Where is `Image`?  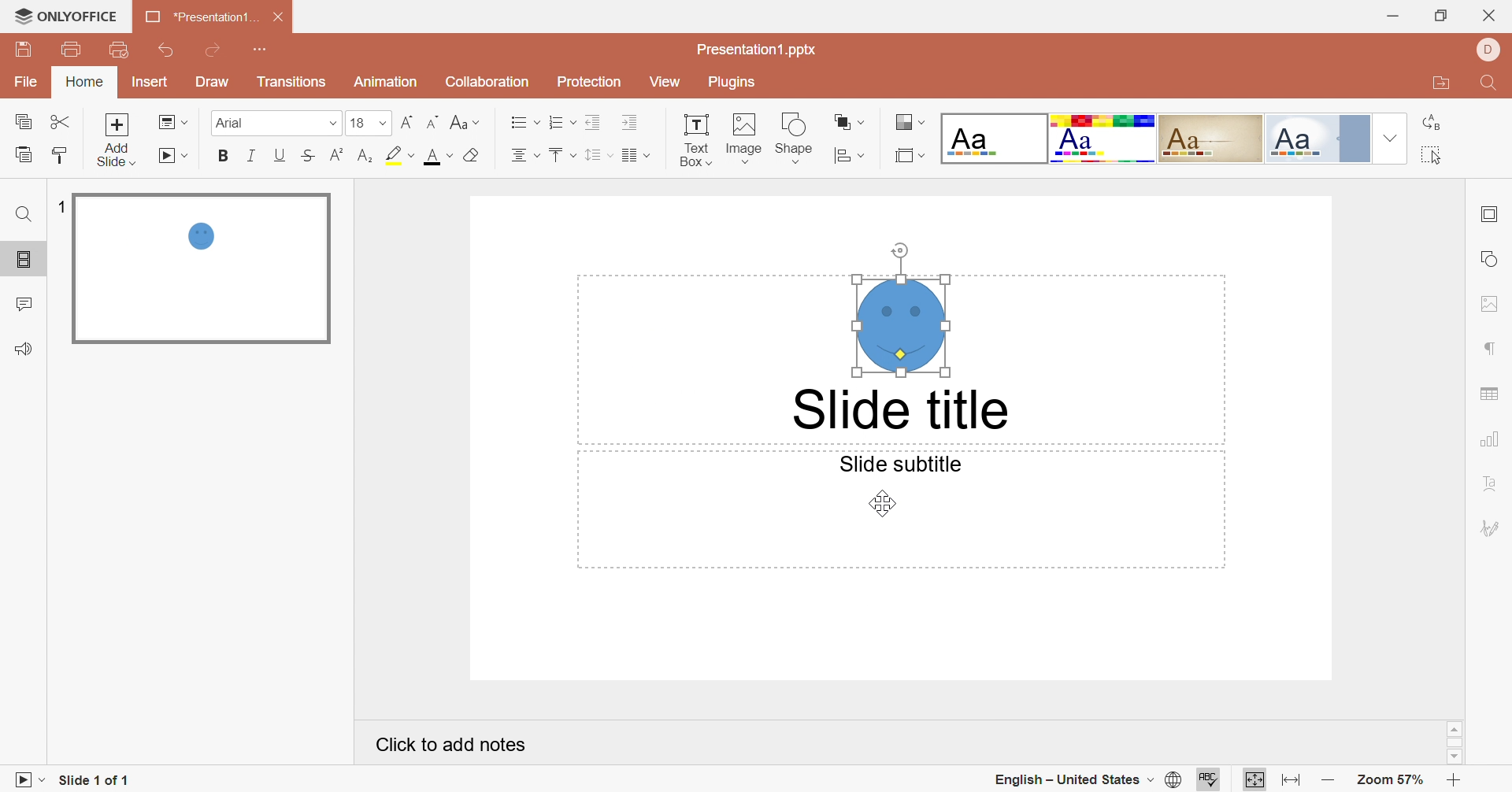
Image is located at coordinates (744, 138).